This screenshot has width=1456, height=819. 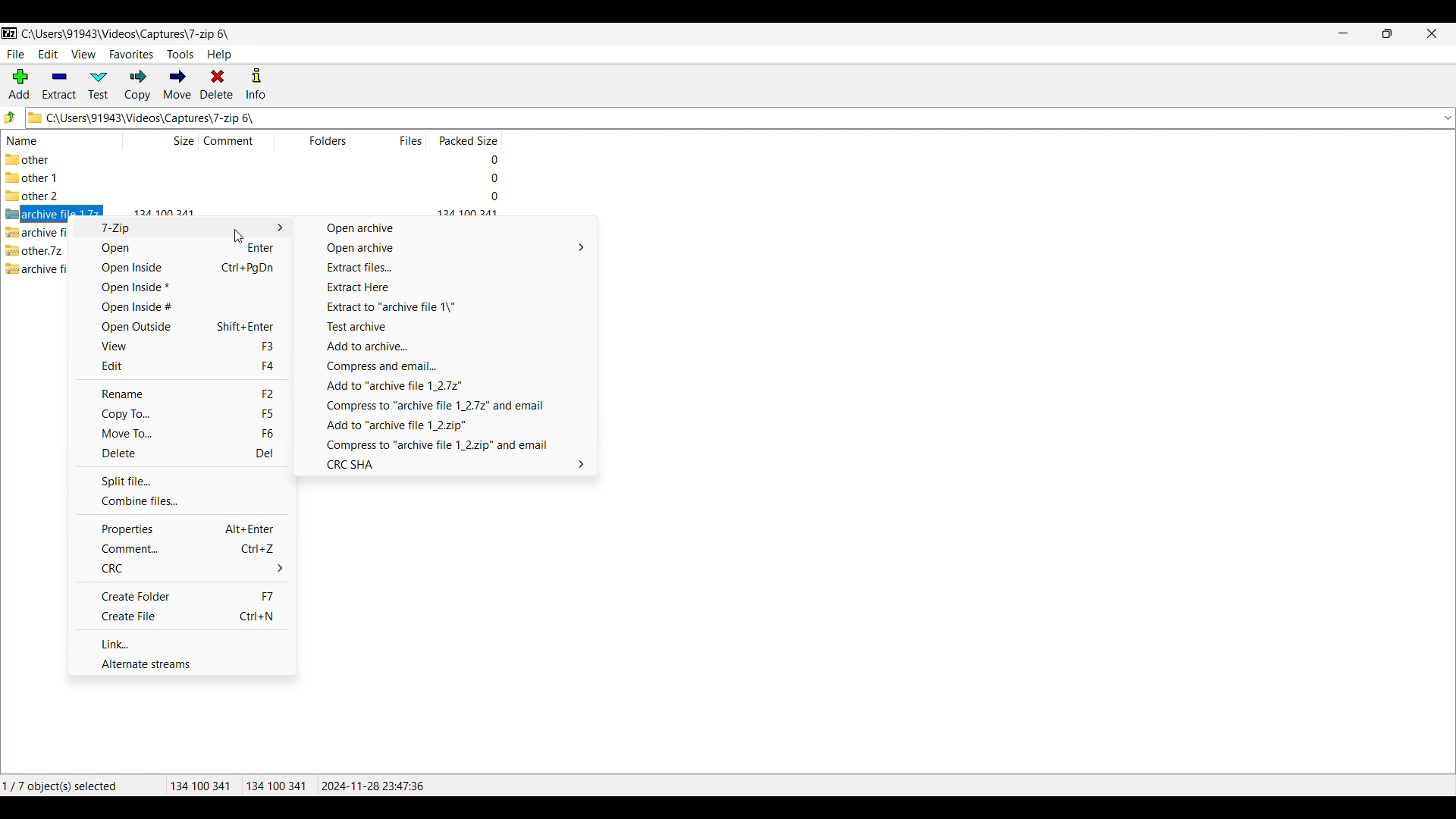 What do you see at coordinates (36, 215) in the screenshot?
I see `archive file 1.7z ` at bounding box center [36, 215].